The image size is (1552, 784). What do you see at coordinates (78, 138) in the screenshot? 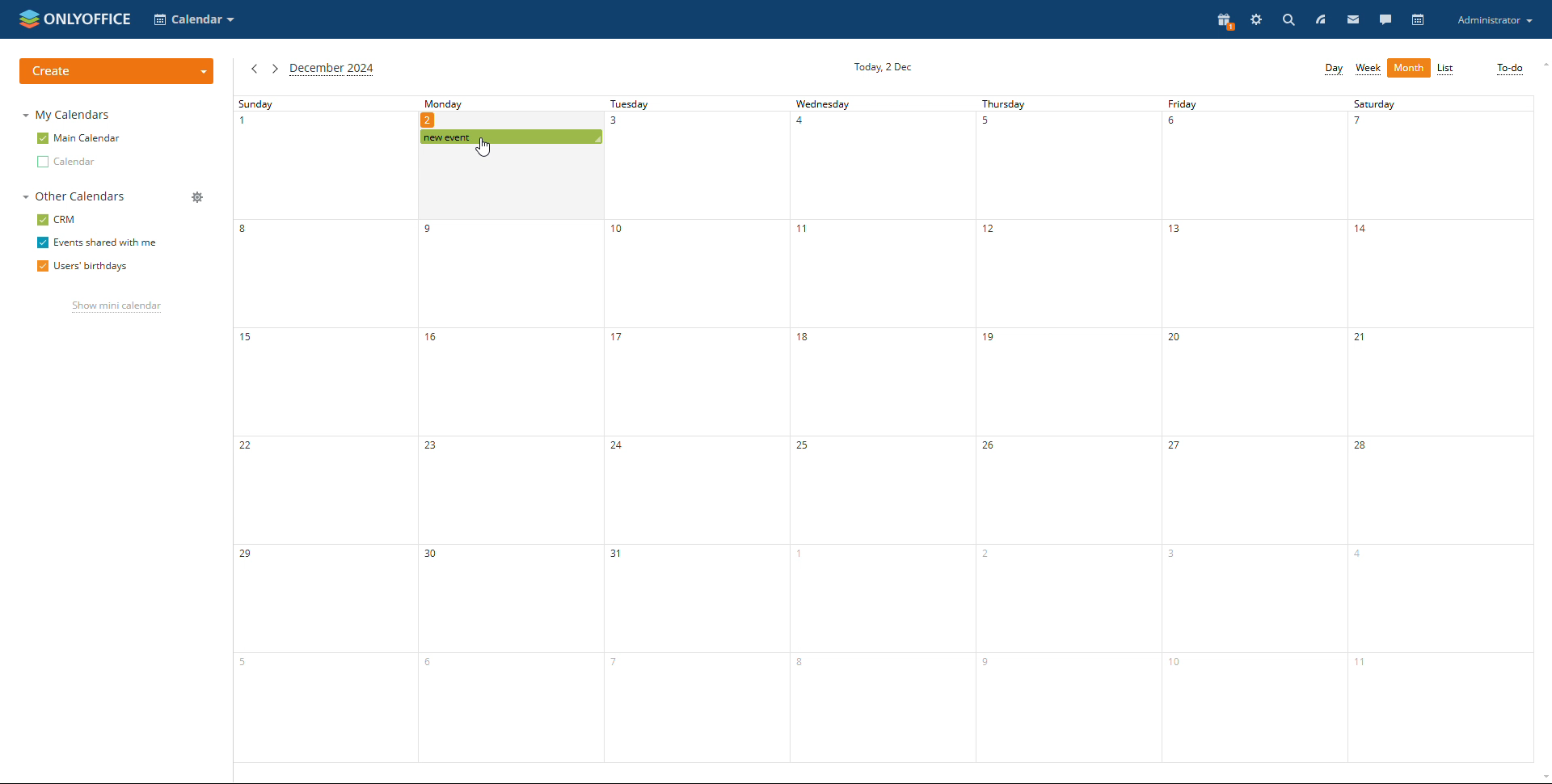
I see `main calendar` at bounding box center [78, 138].